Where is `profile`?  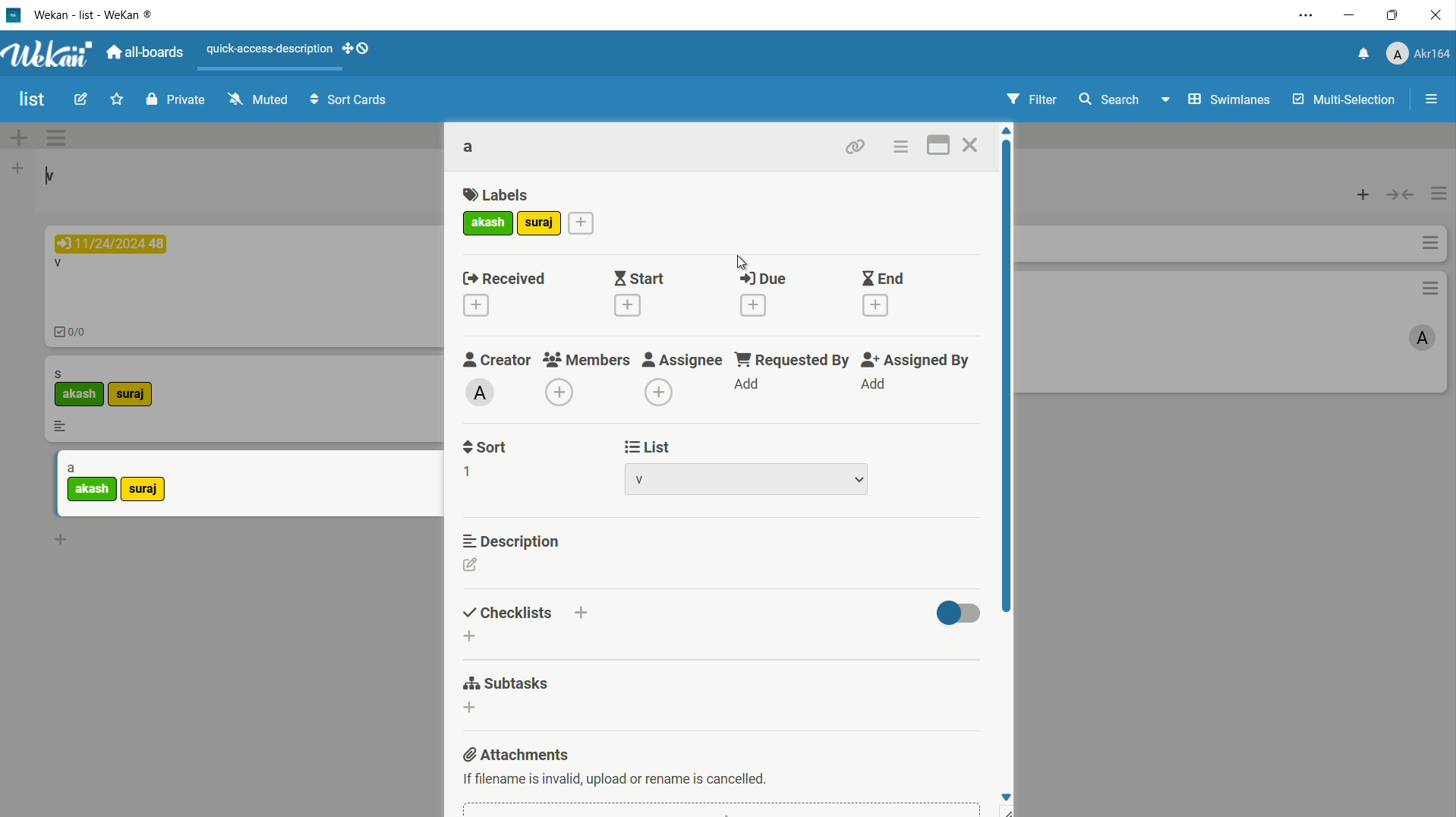
profile is located at coordinates (1419, 54).